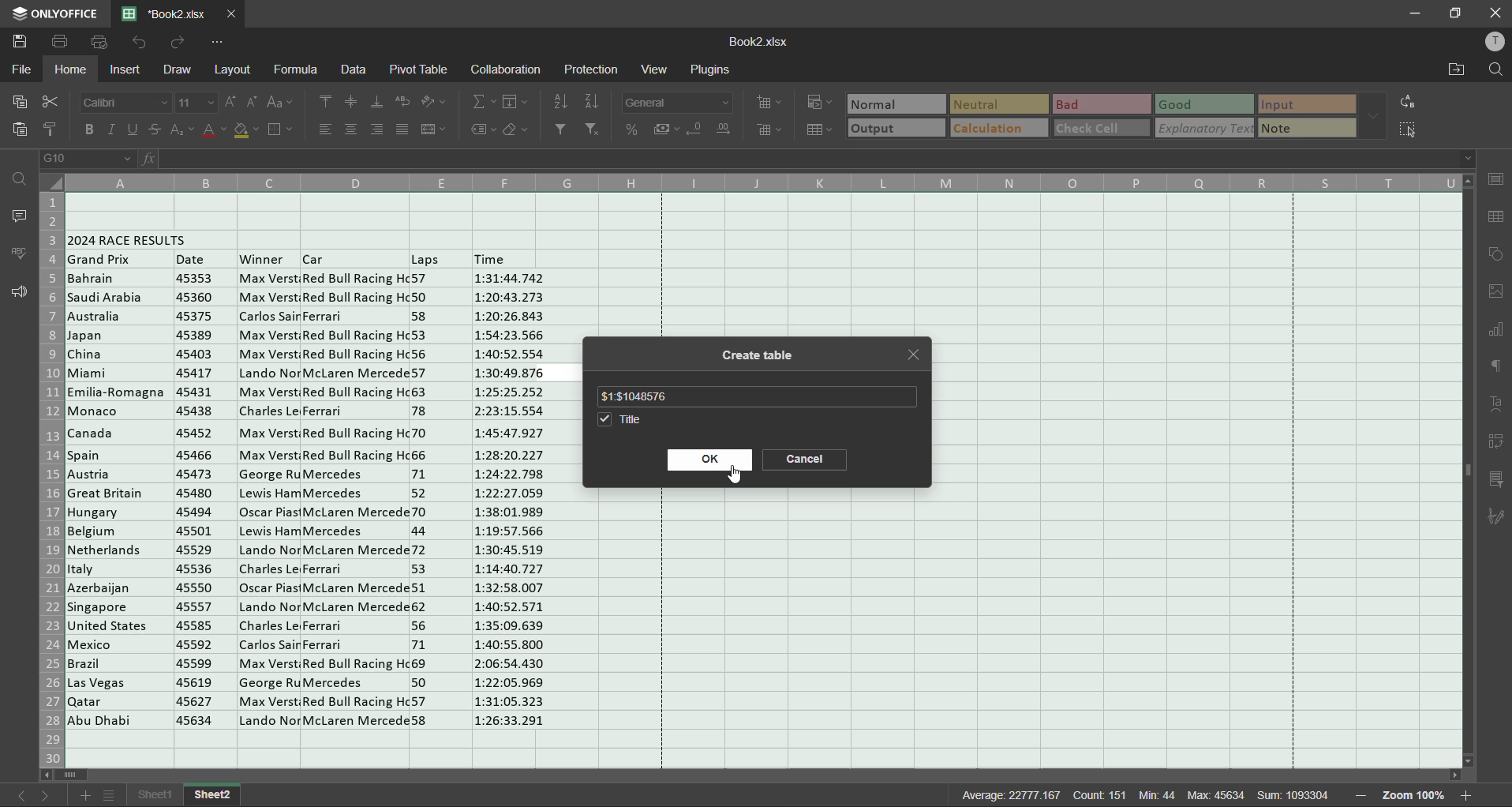 The height and width of the screenshot is (807, 1512). I want to click on increment size, so click(232, 102).